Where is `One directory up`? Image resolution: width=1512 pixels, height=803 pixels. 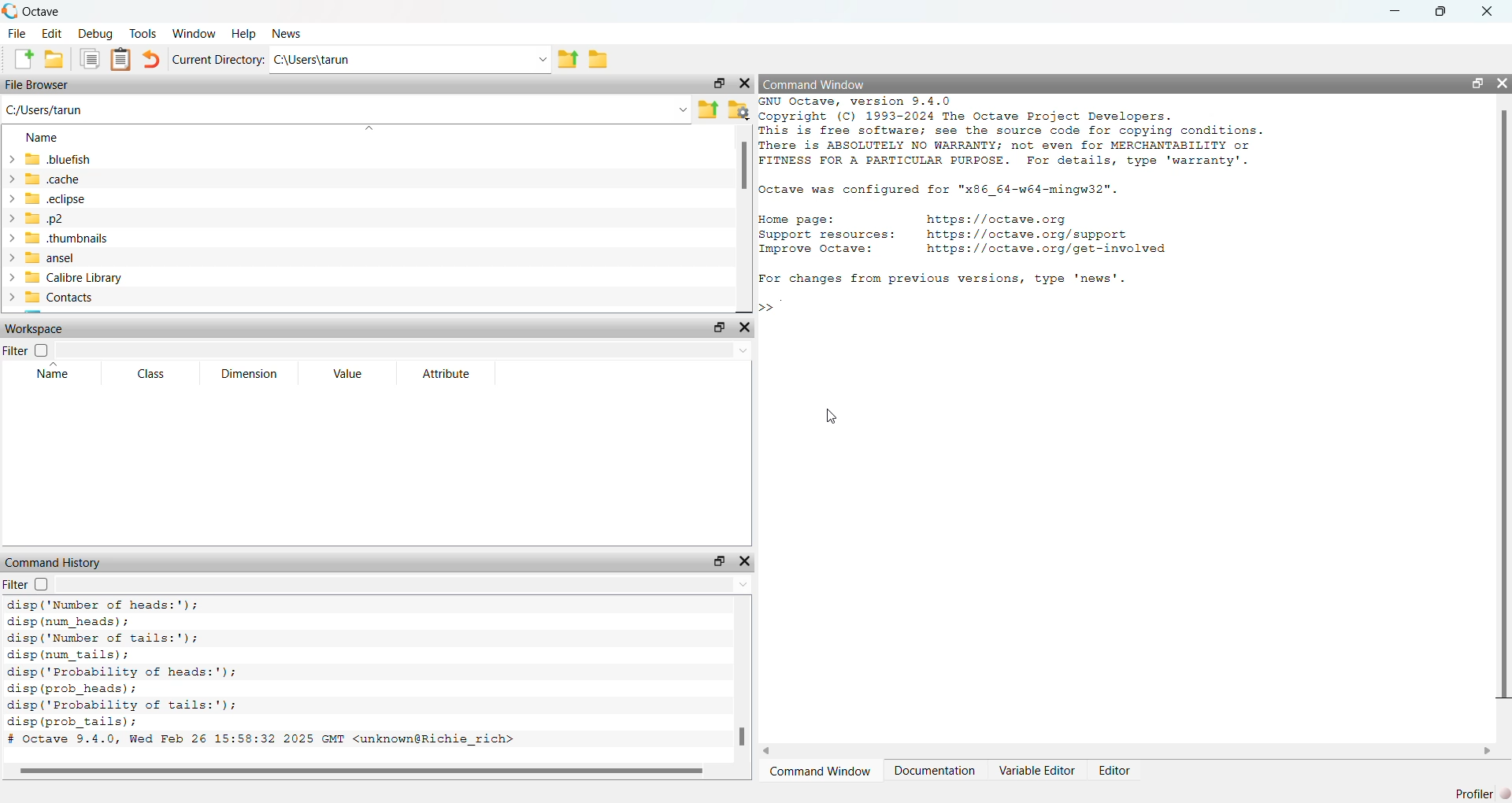
One directory up is located at coordinates (568, 57).